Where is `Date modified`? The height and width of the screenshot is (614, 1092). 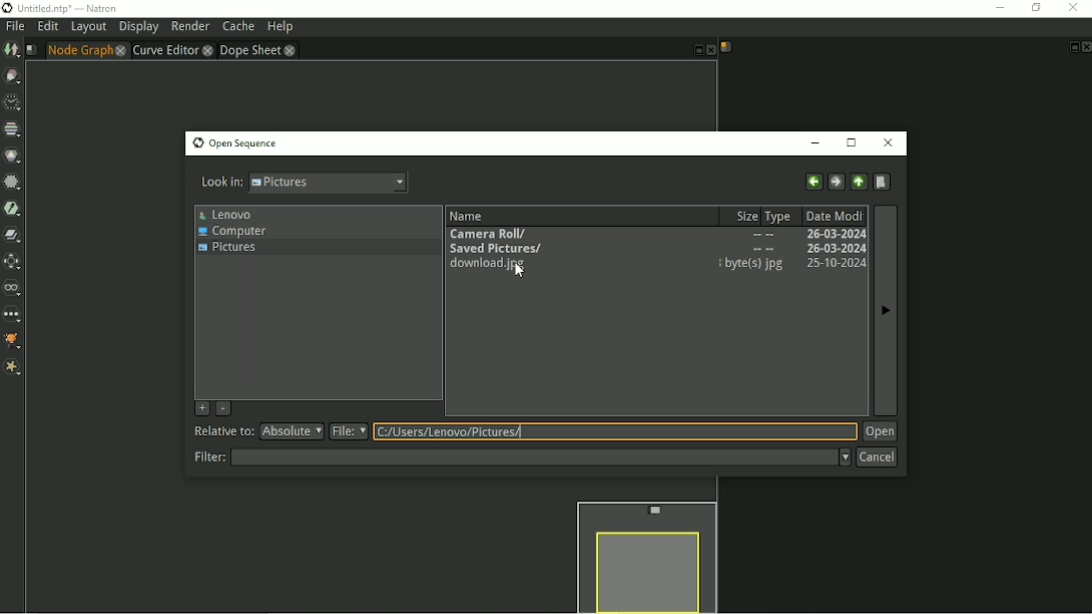
Date modified is located at coordinates (833, 214).